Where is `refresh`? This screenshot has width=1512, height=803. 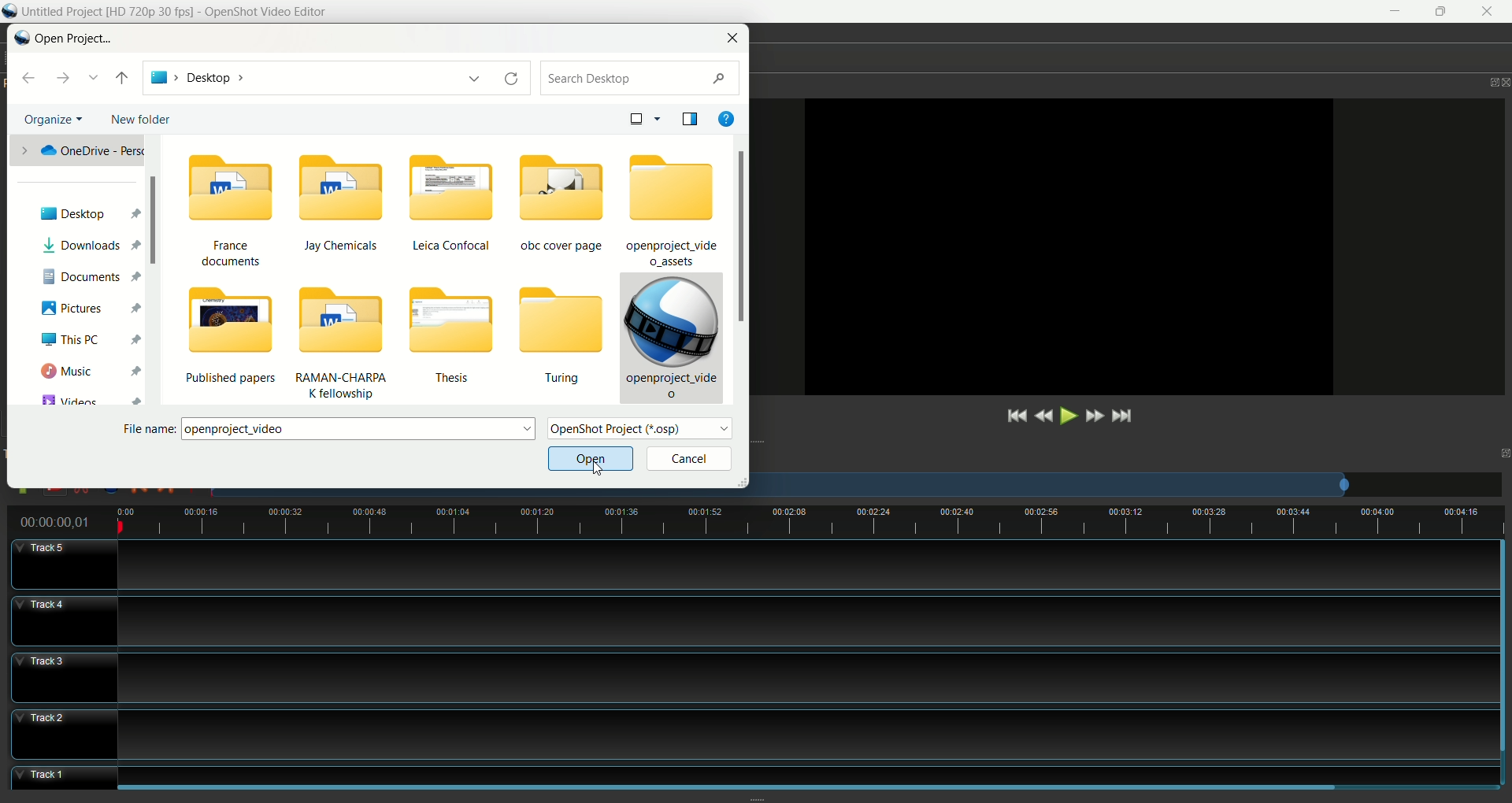
refresh is located at coordinates (516, 80).